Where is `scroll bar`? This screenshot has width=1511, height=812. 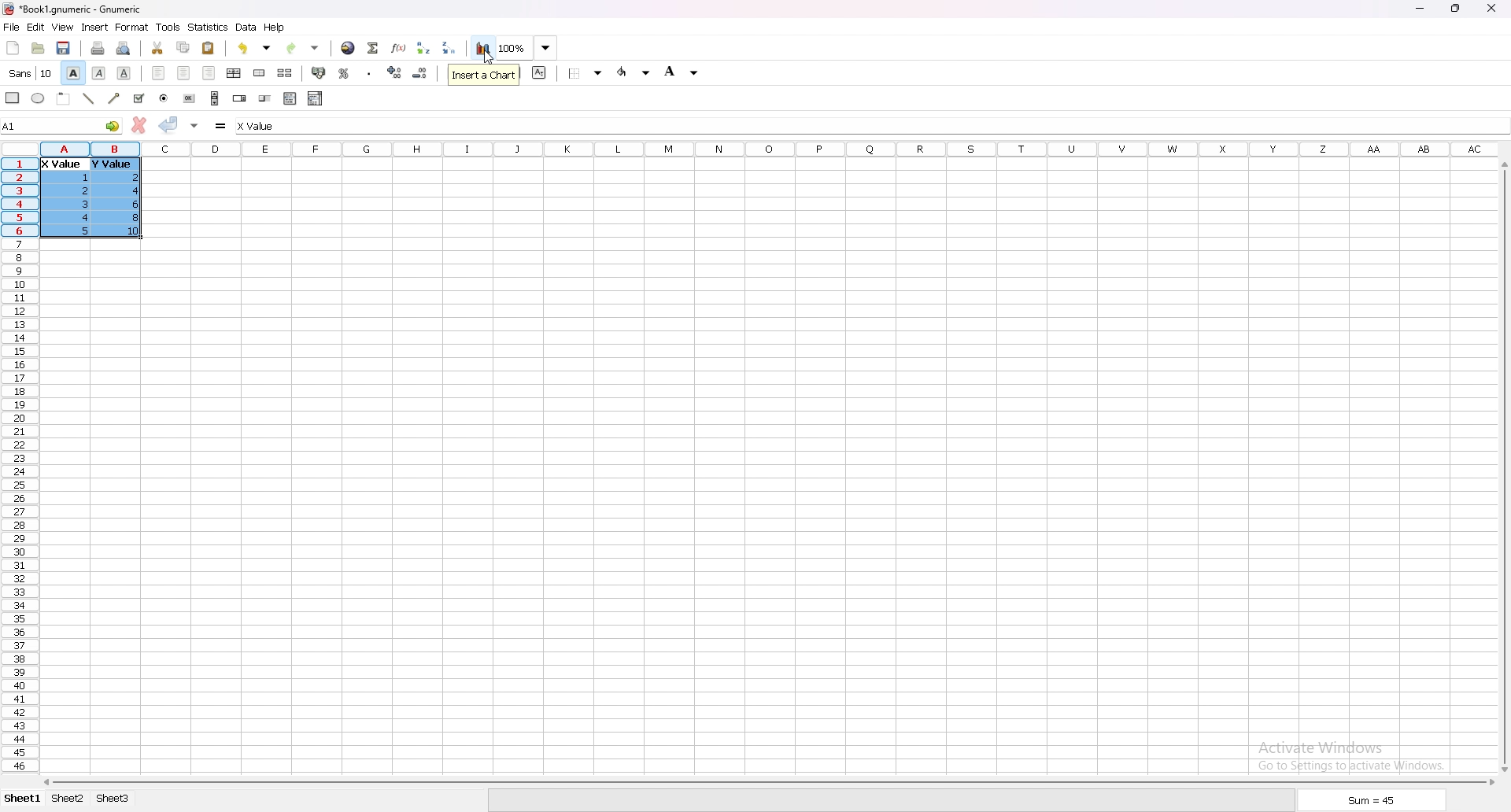 scroll bar is located at coordinates (767, 782).